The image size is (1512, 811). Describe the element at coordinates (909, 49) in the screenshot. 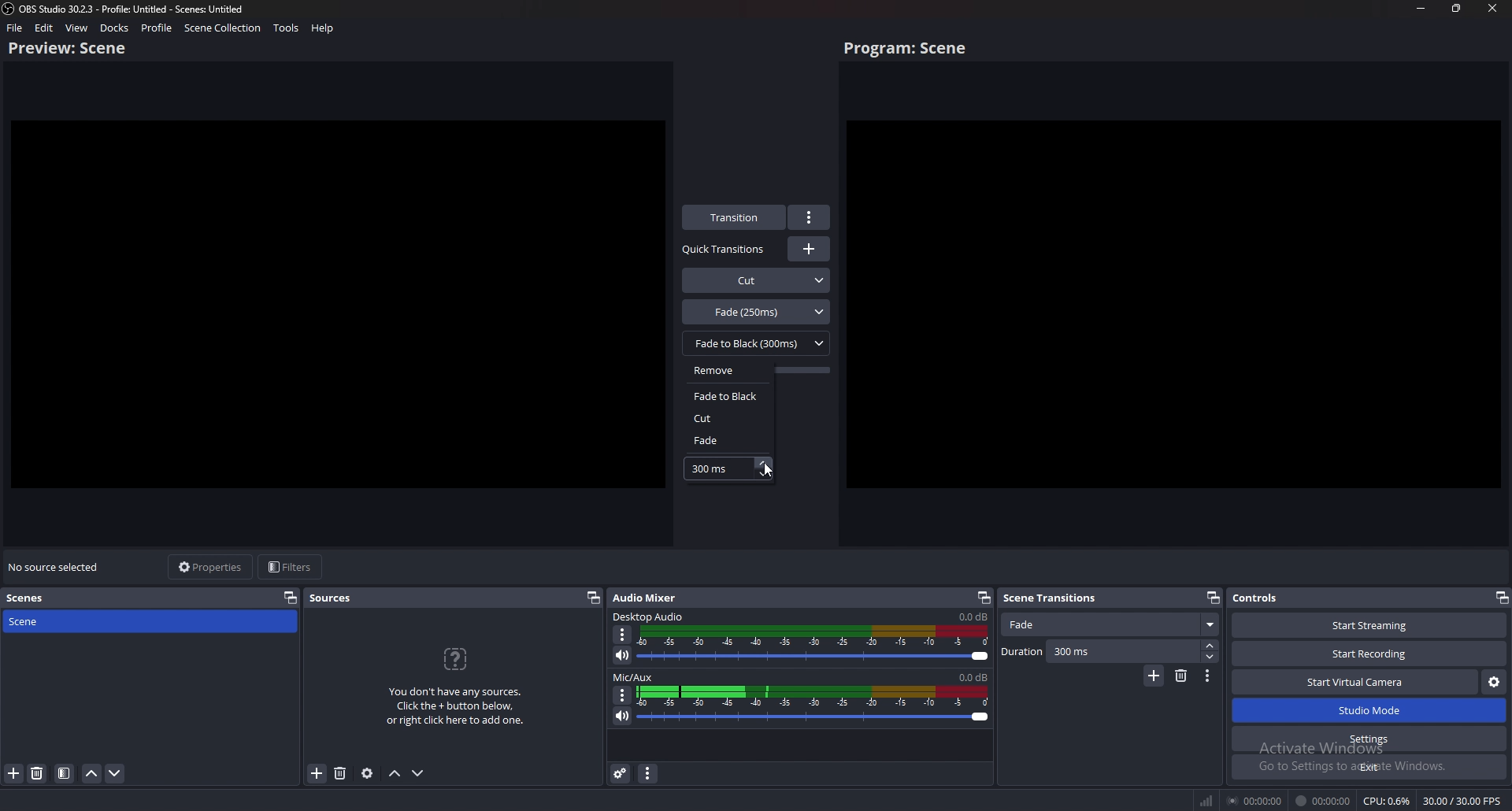

I see `program scene` at that location.